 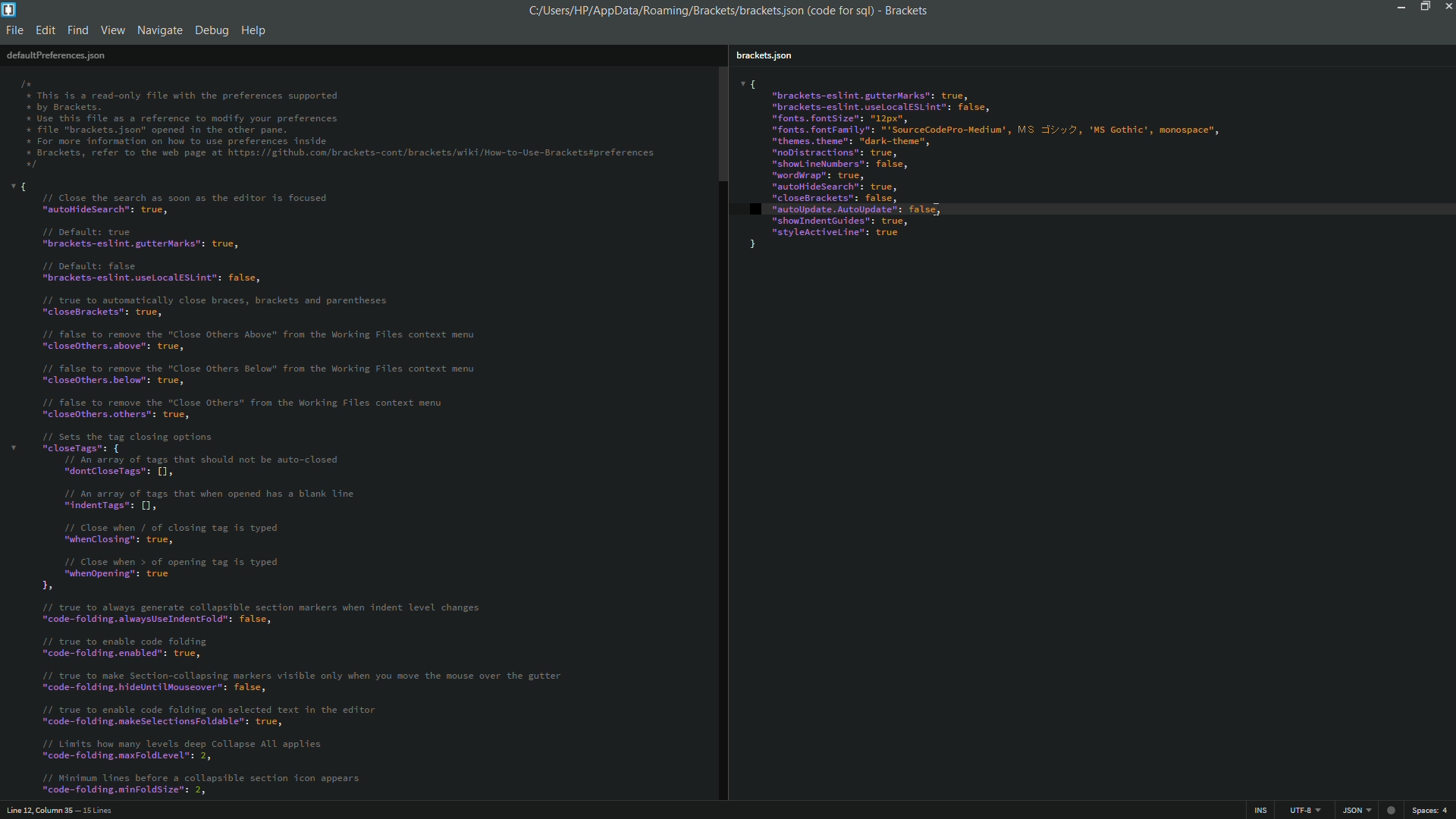 I want to click on find menu, so click(x=79, y=30).